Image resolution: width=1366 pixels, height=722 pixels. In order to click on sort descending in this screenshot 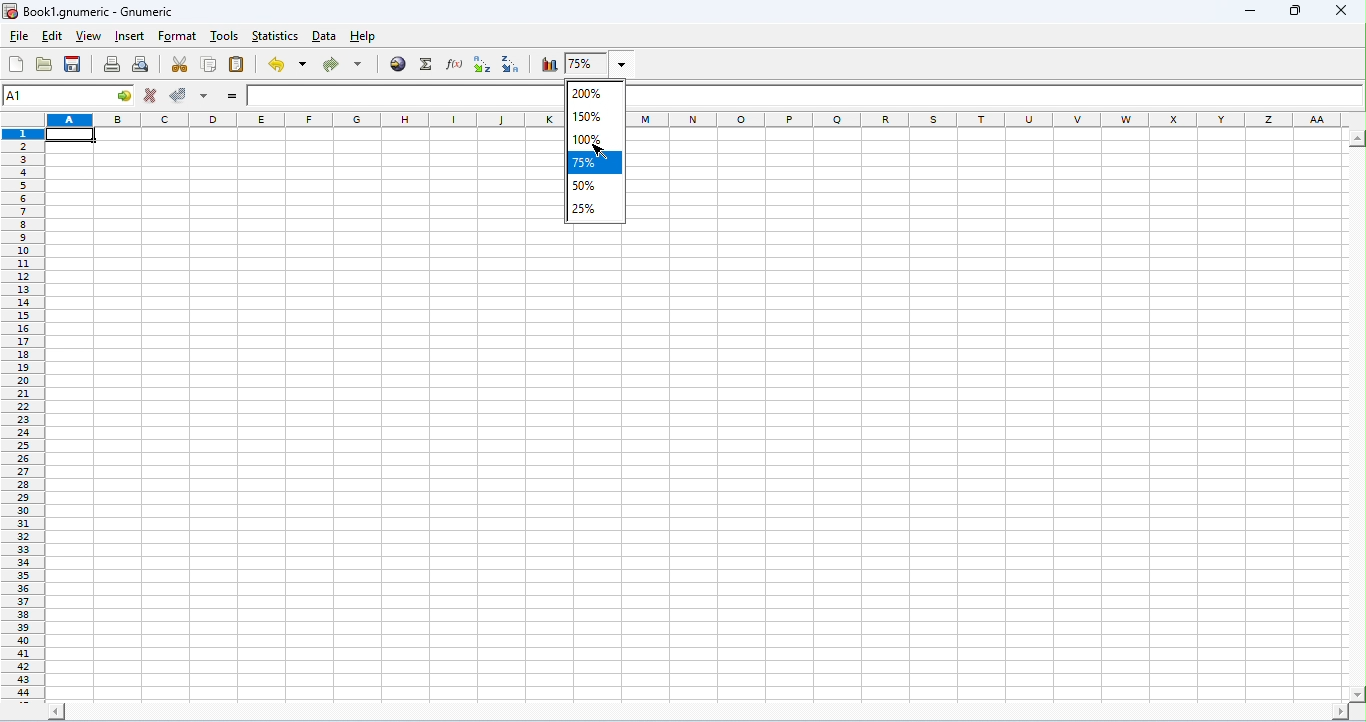, I will do `click(512, 64)`.